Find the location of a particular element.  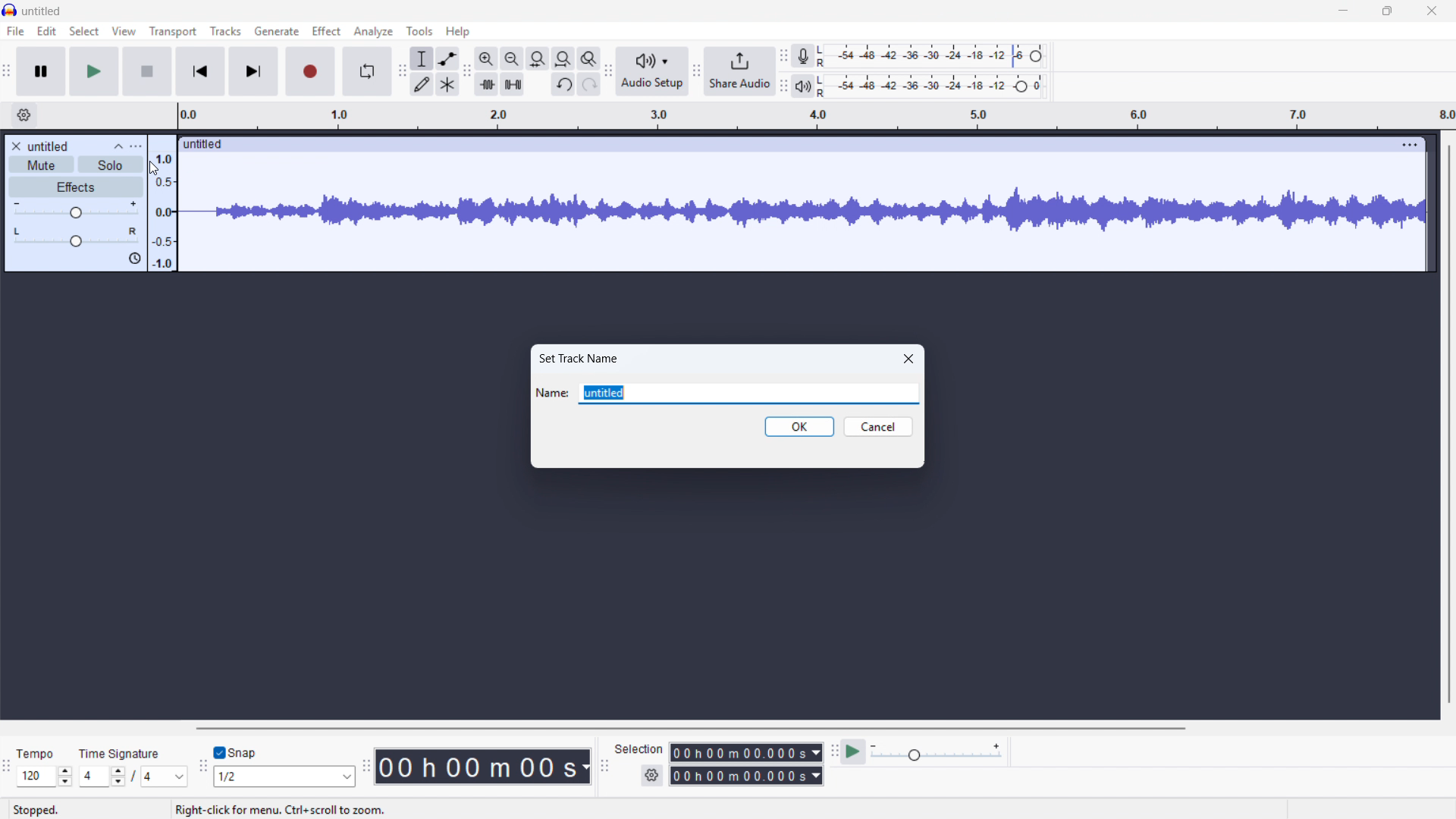

Timestamp  is located at coordinates (485, 767).